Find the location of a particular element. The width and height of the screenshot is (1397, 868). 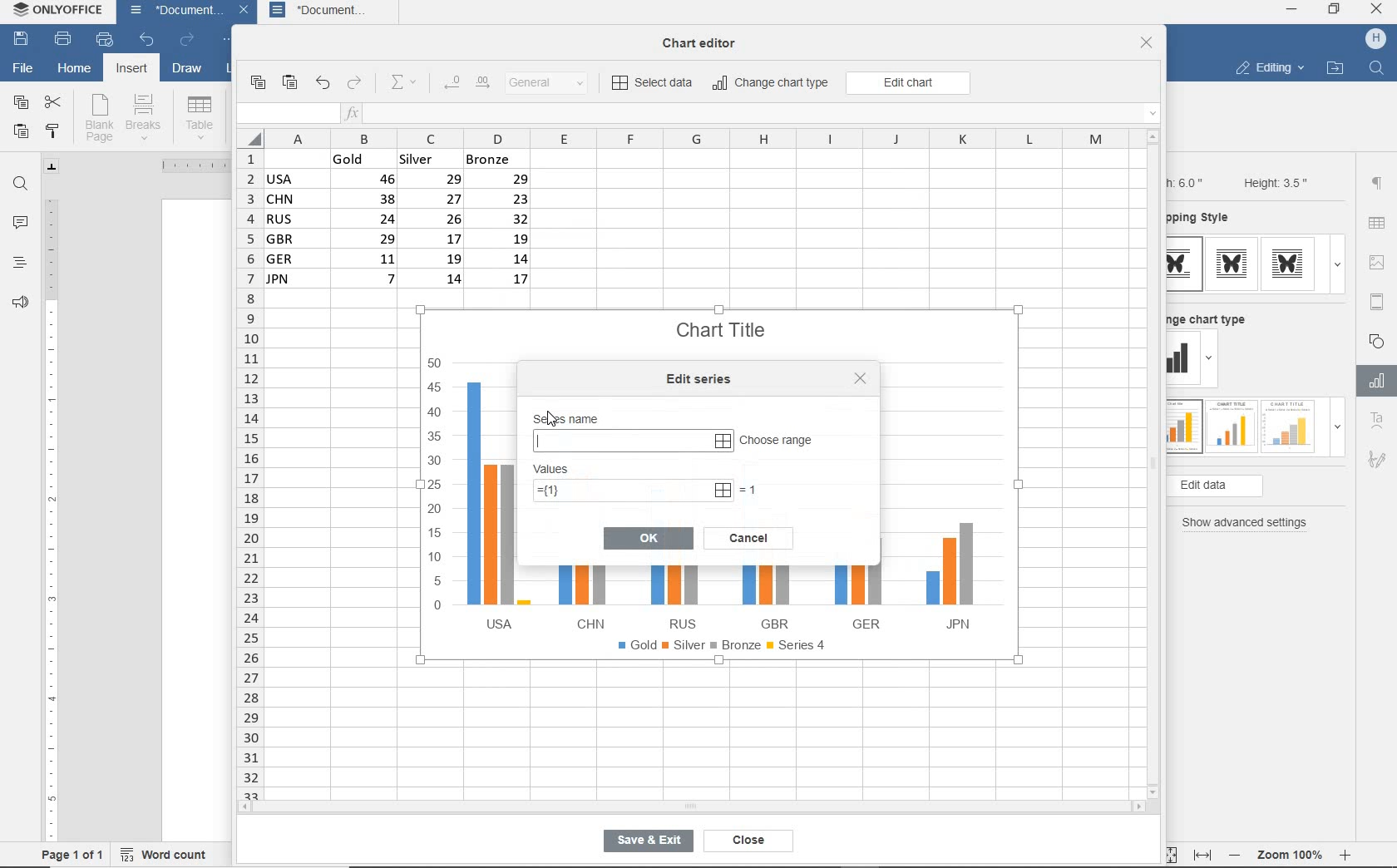

ruler is located at coordinates (187, 165).